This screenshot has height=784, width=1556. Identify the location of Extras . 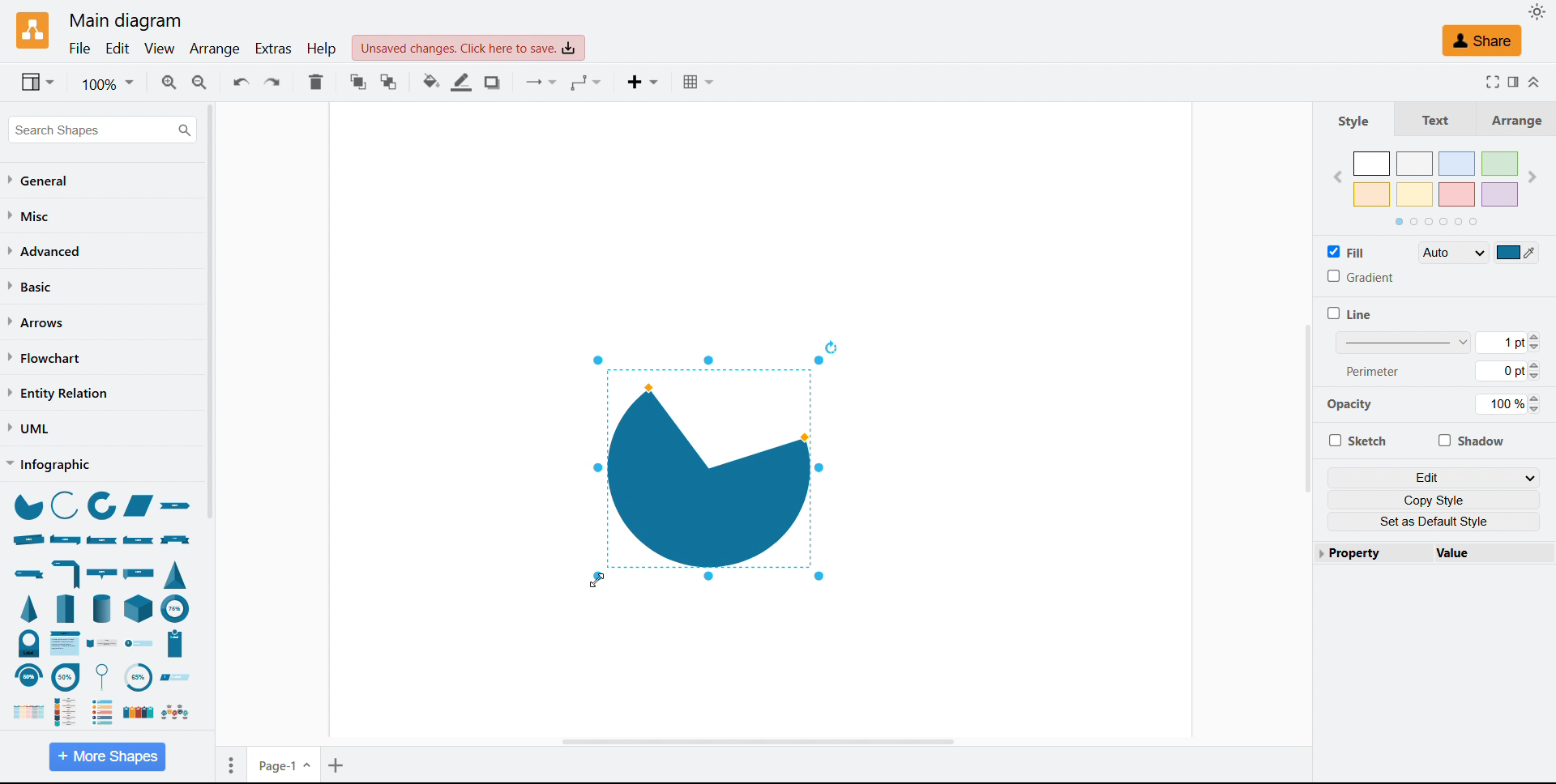
(275, 49).